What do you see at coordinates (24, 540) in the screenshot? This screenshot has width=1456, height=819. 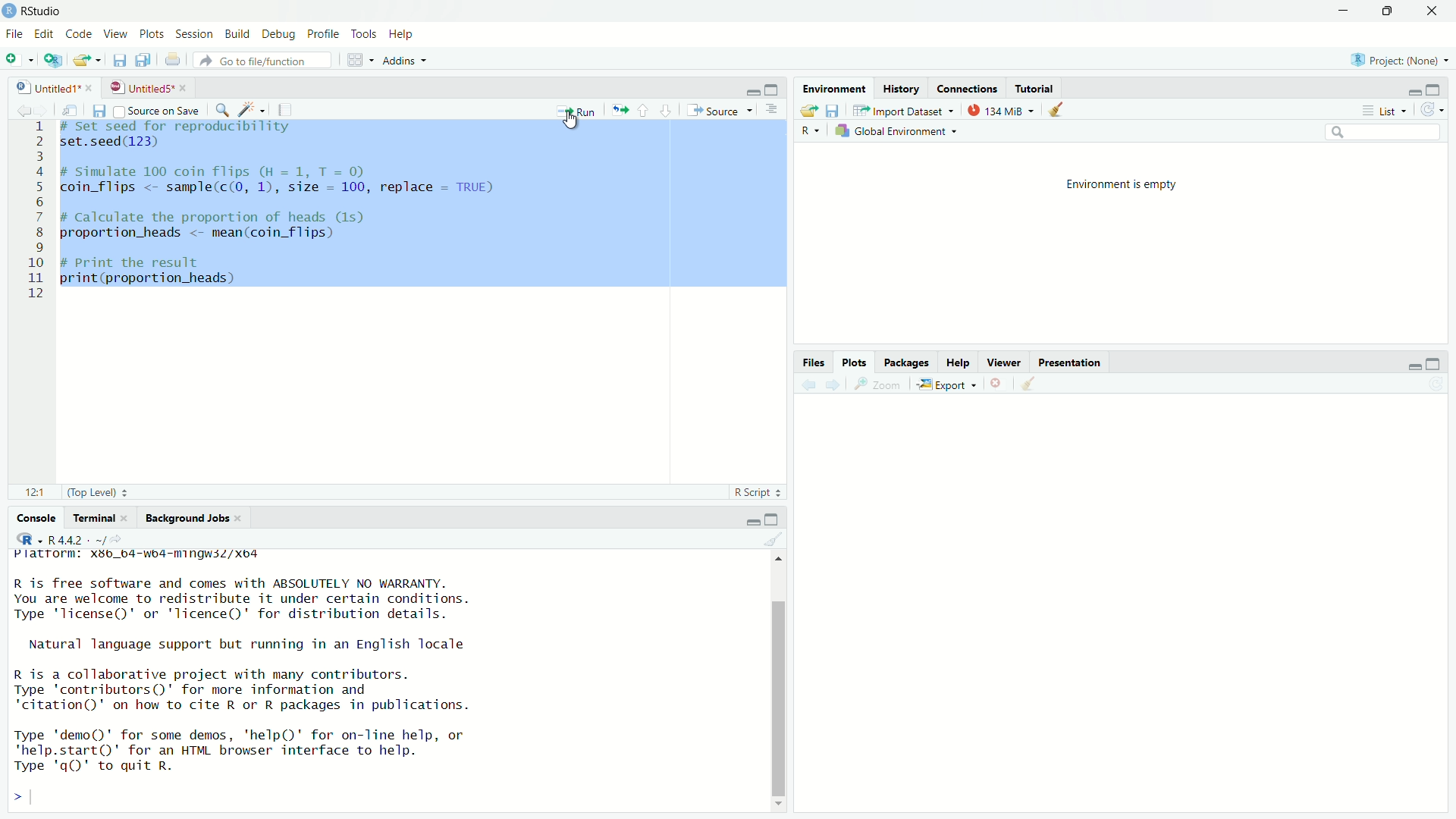 I see `select language` at bounding box center [24, 540].